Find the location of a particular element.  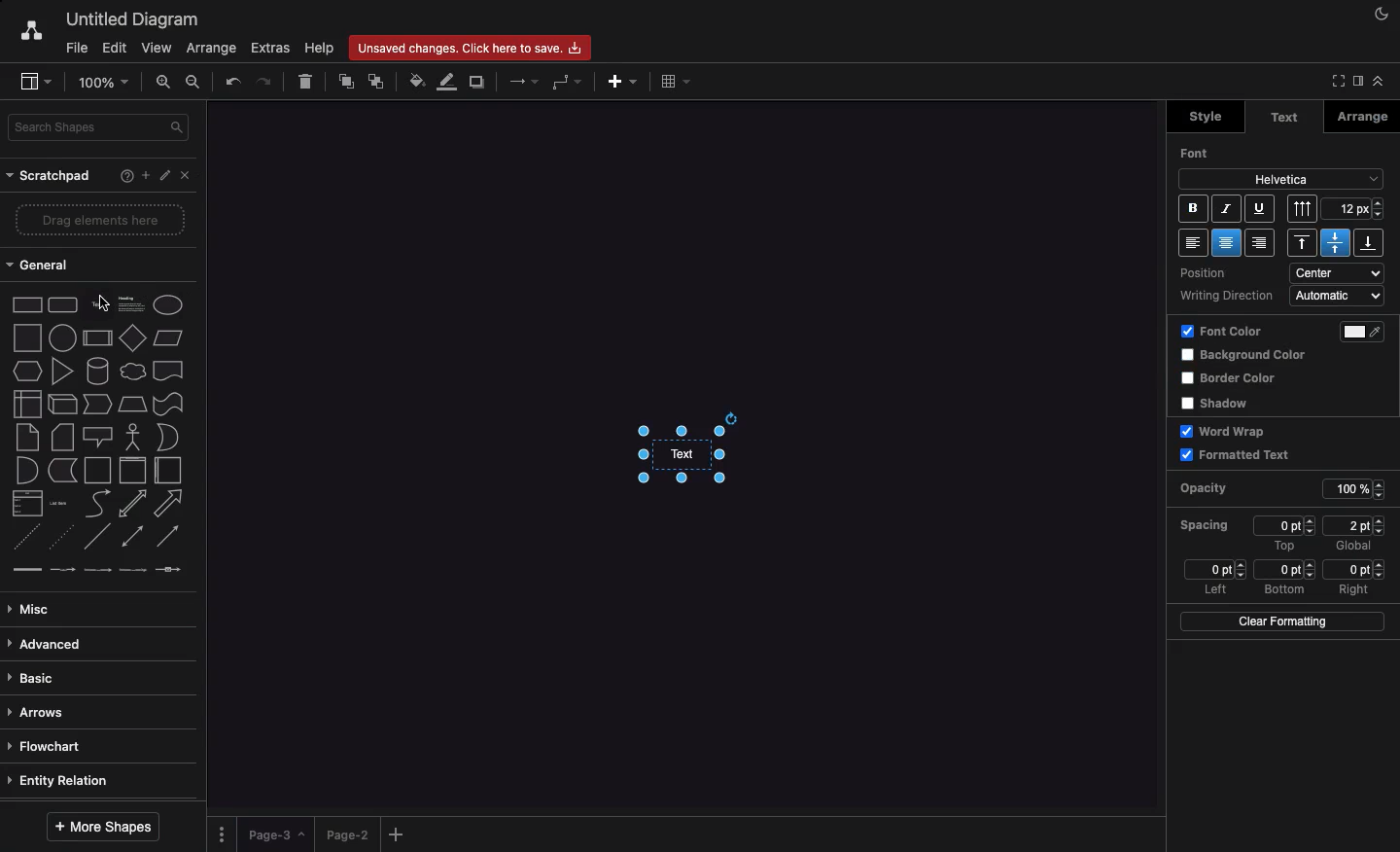

Waypoints is located at coordinates (564, 83).